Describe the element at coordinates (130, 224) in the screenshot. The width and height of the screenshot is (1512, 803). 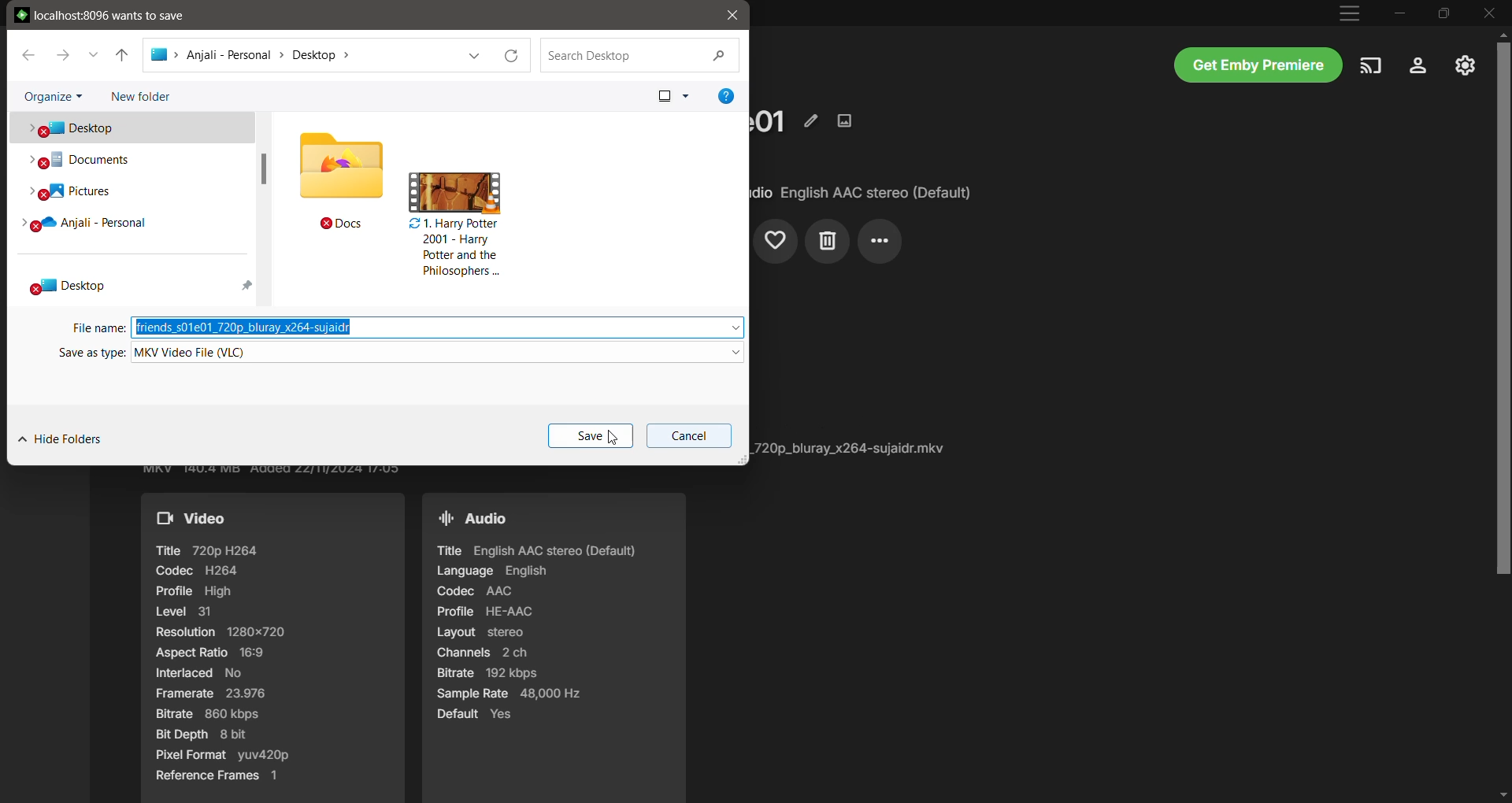
I see `Personal folder` at that location.